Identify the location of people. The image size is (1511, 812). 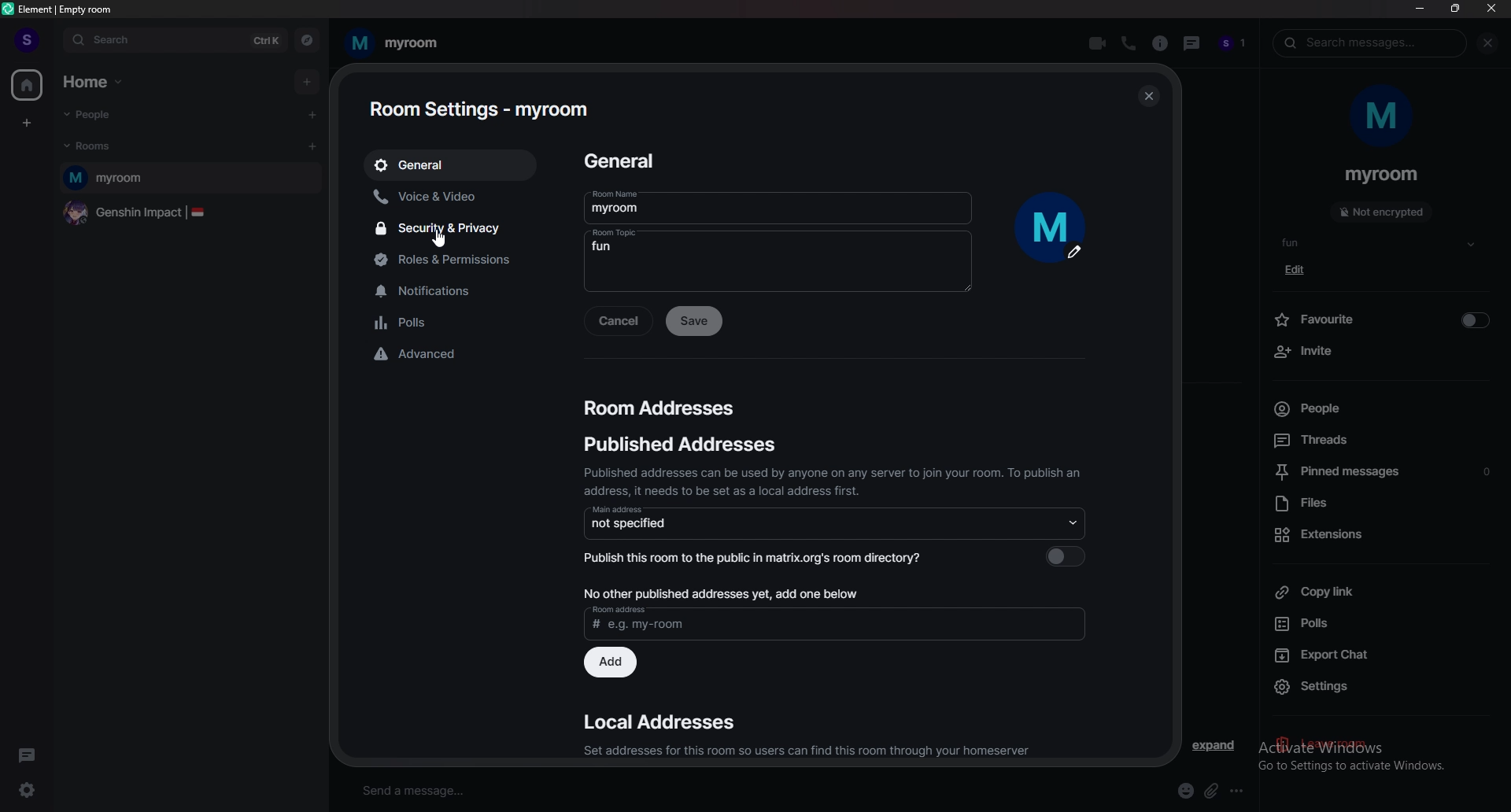
(1236, 44).